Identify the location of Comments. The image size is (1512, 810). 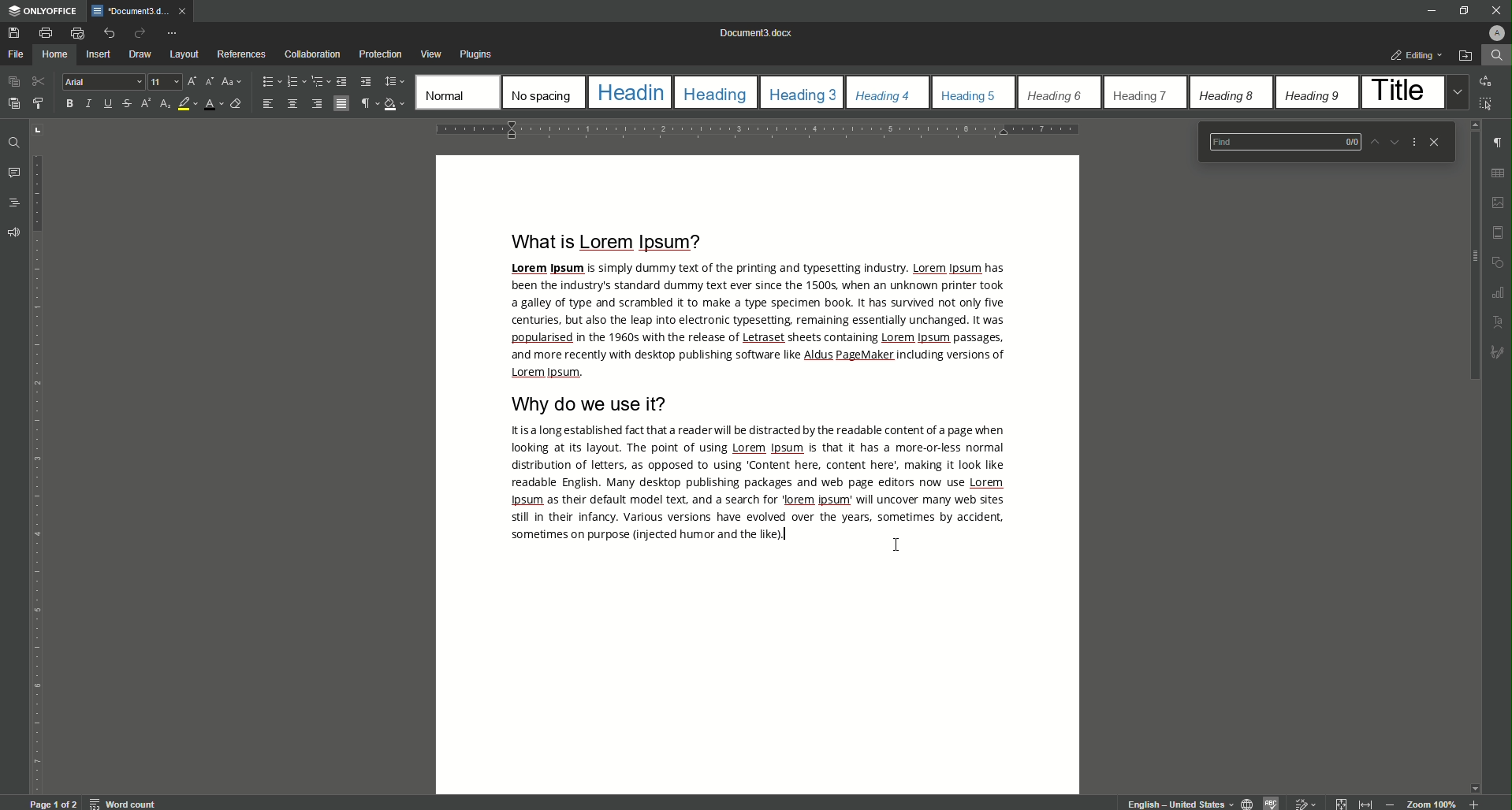
(17, 172).